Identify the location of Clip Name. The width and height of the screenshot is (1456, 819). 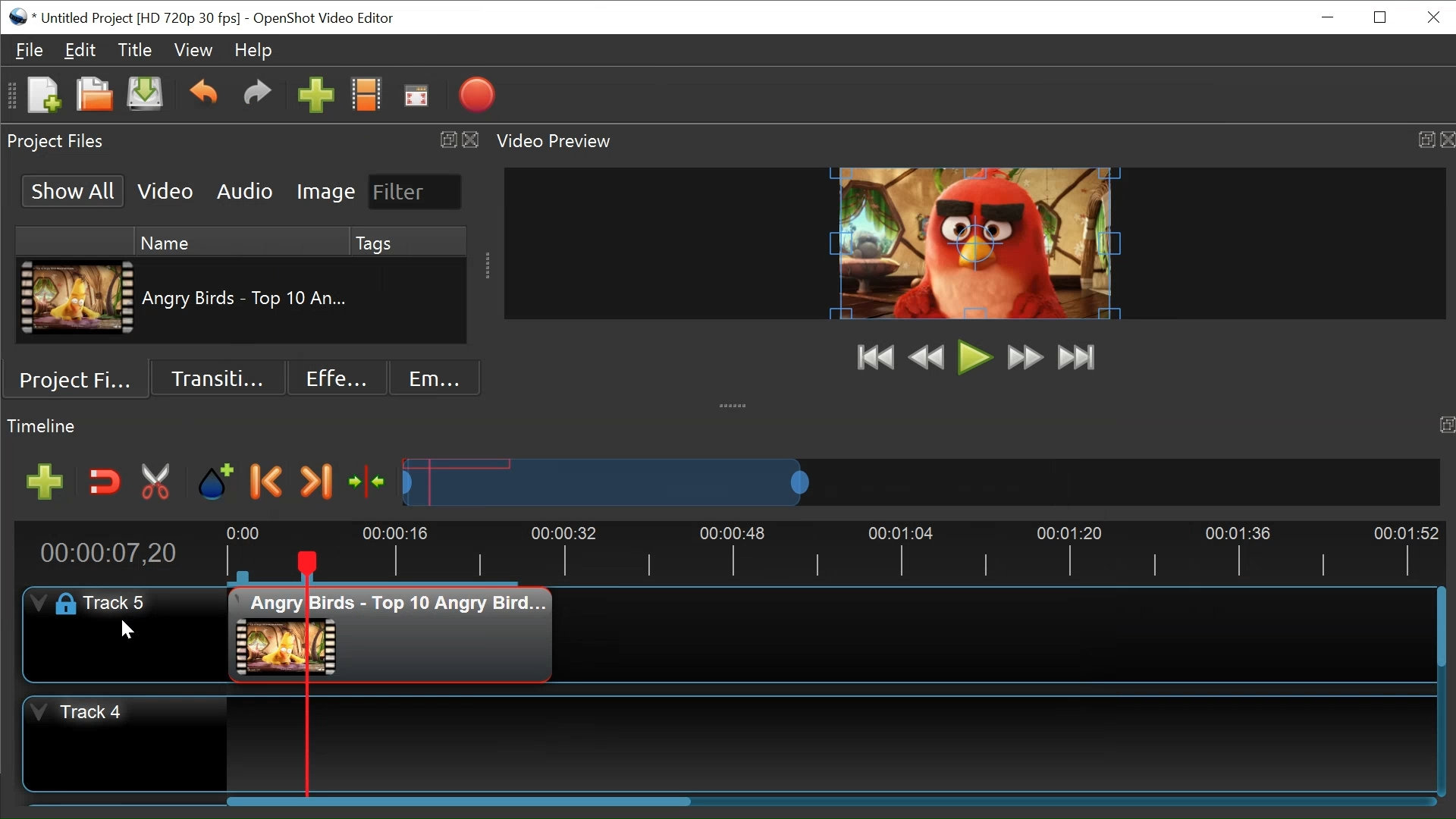
(245, 302).